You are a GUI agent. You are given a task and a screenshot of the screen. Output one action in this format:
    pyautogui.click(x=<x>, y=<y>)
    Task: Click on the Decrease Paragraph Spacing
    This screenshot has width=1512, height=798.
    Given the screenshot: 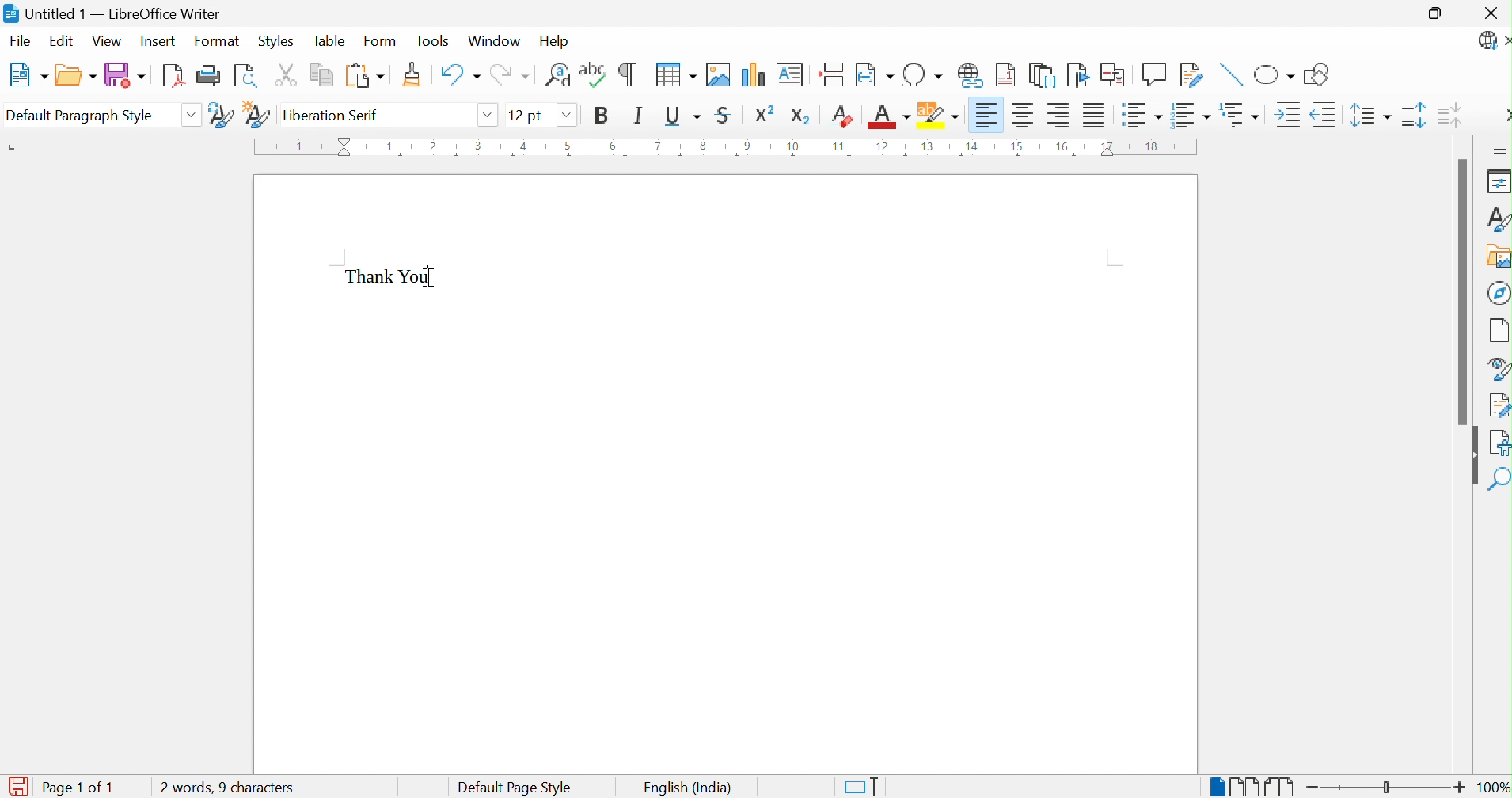 What is the action you would take?
    pyautogui.click(x=1451, y=117)
    